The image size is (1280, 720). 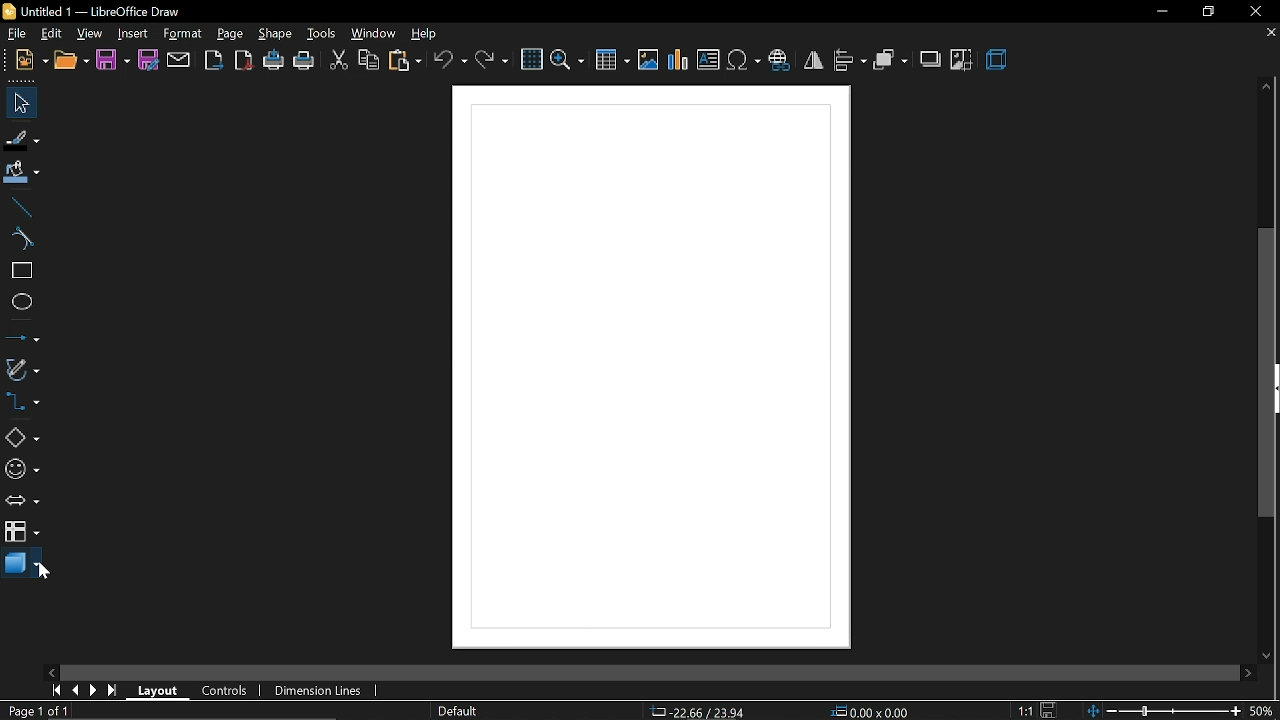 What do you see at coordinates (22, 367) in the screenshot?
I see `curves and polygons` at bounding box center [22, 367].